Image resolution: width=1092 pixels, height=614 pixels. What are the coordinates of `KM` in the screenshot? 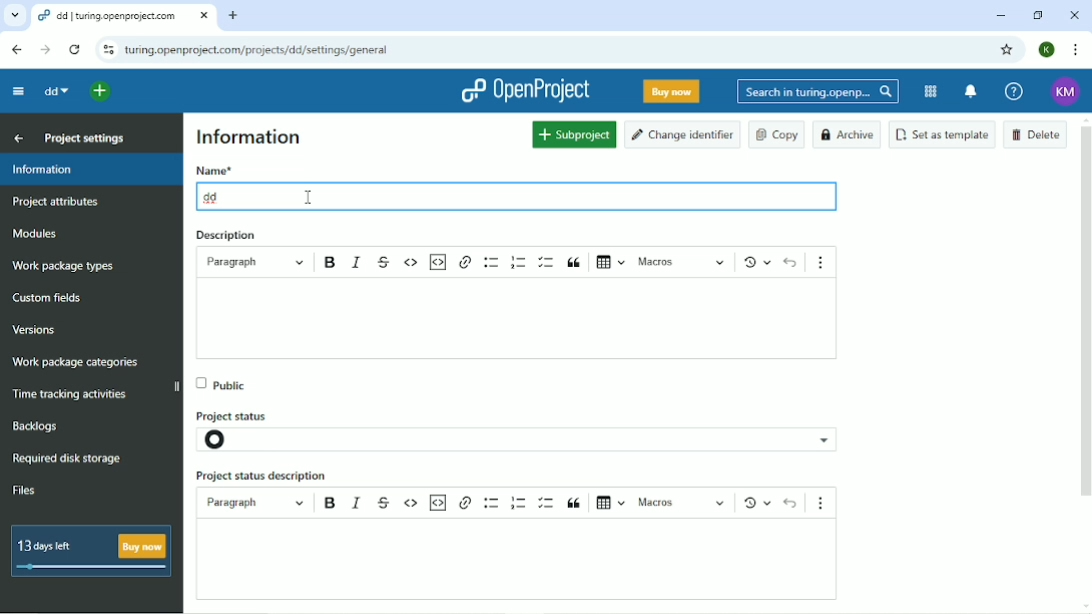 It's located at (1068, 90).